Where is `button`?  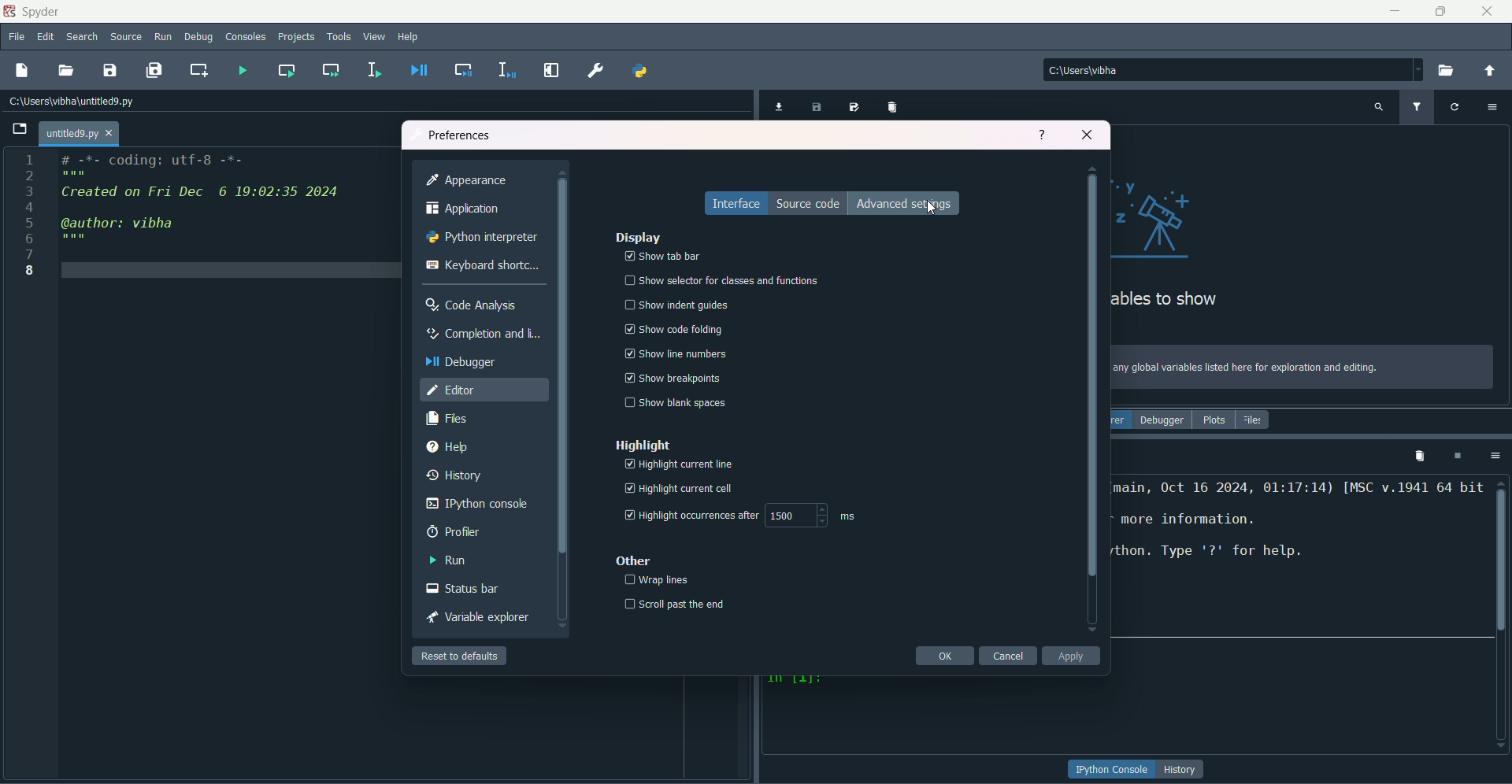
button is located at coordinates (1182, 769).